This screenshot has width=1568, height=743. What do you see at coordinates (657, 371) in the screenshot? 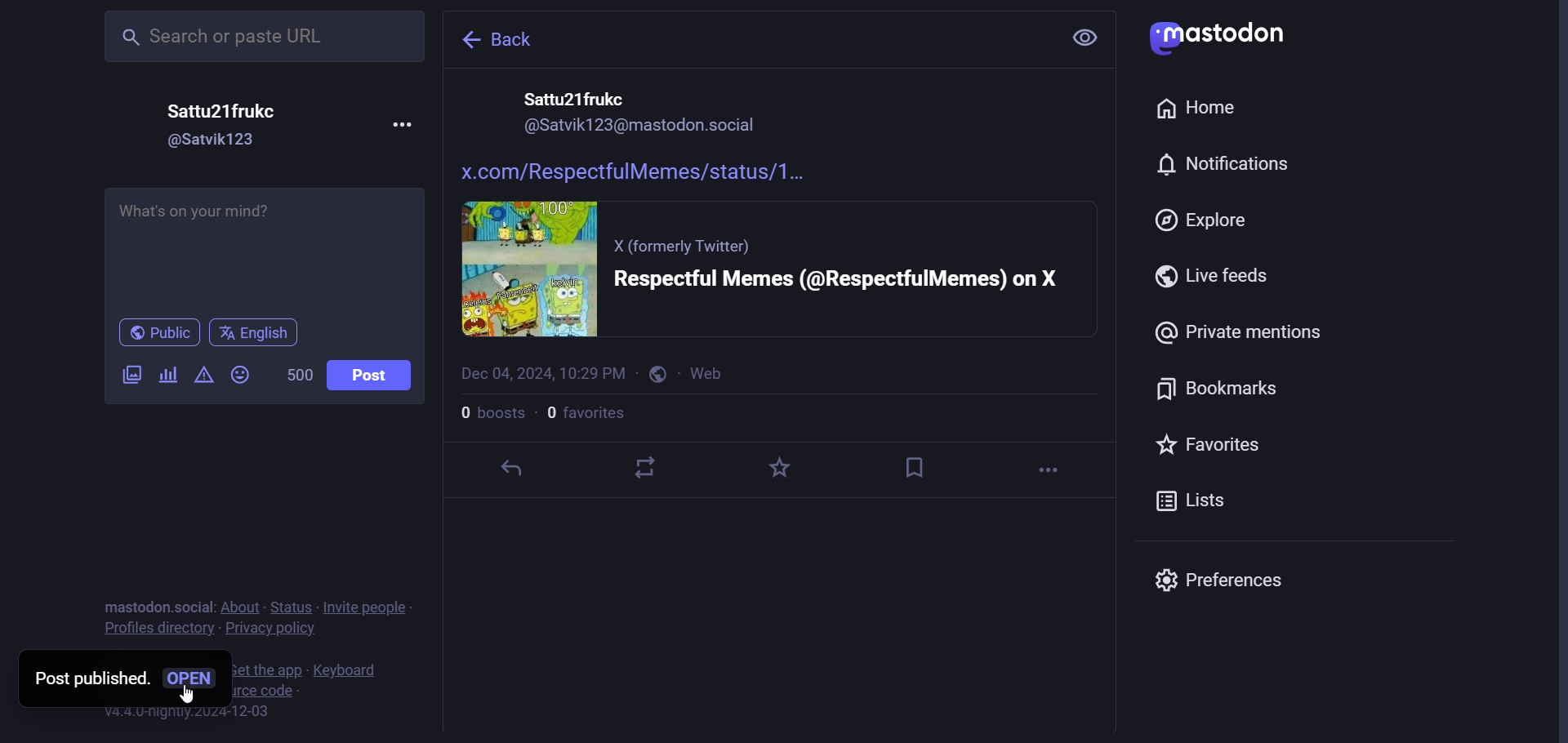
I see `public` at bounding box center [657, 371].